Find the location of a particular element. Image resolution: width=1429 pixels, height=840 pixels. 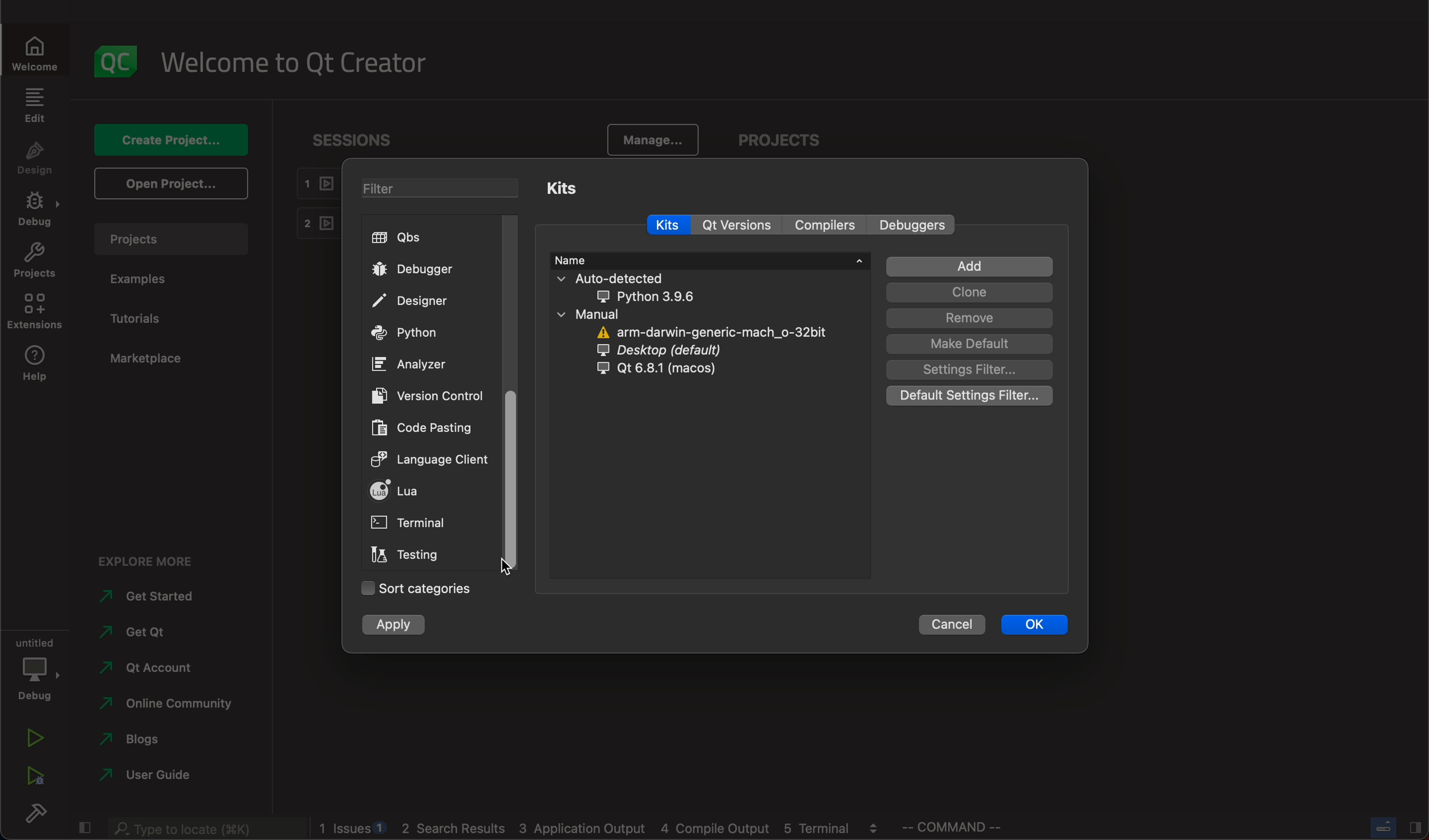

python is located at coordinates (412, 333).